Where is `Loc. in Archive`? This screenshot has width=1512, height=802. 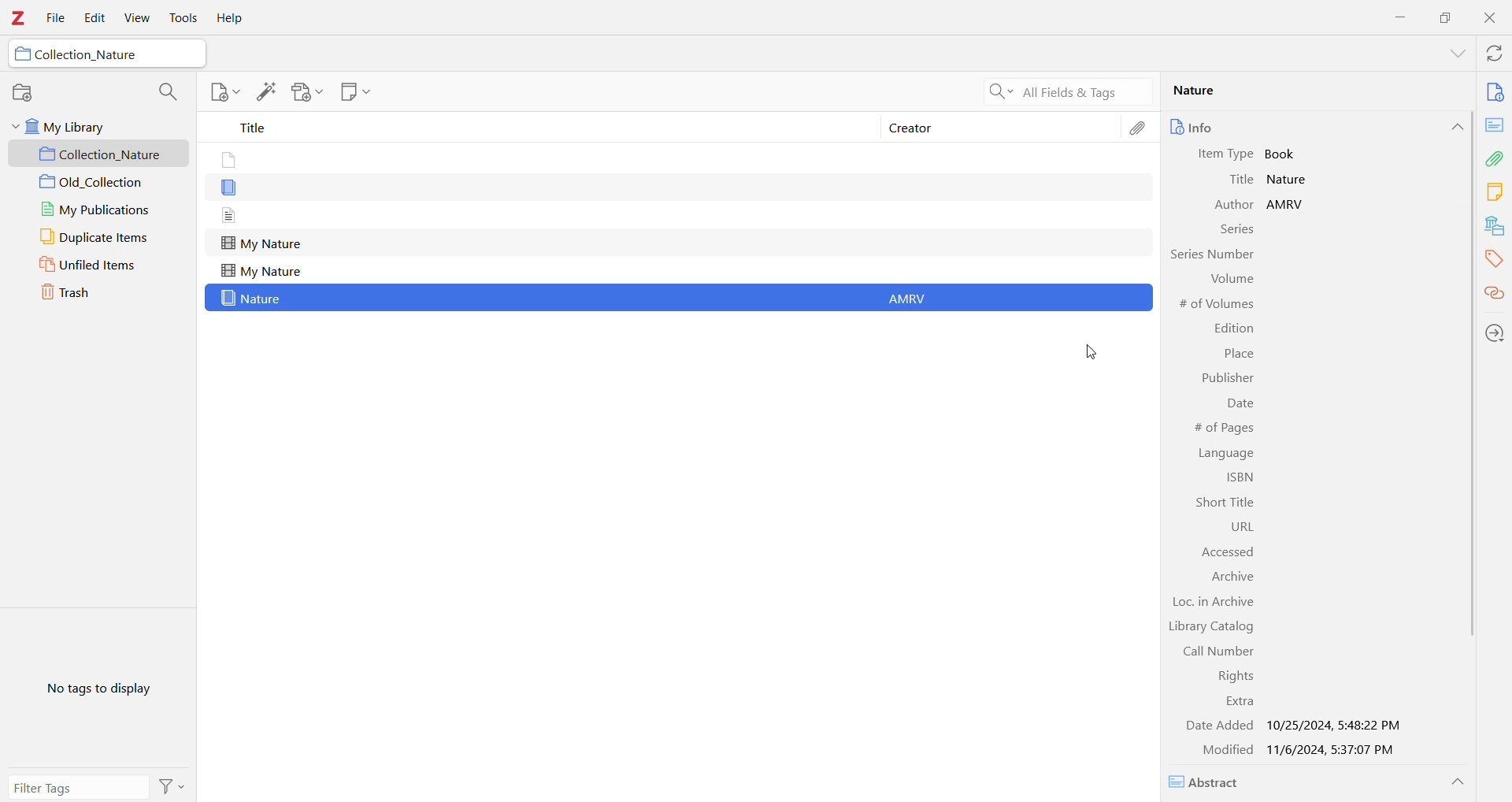
Loc. in Archive is located at coordinates (1216, 603).